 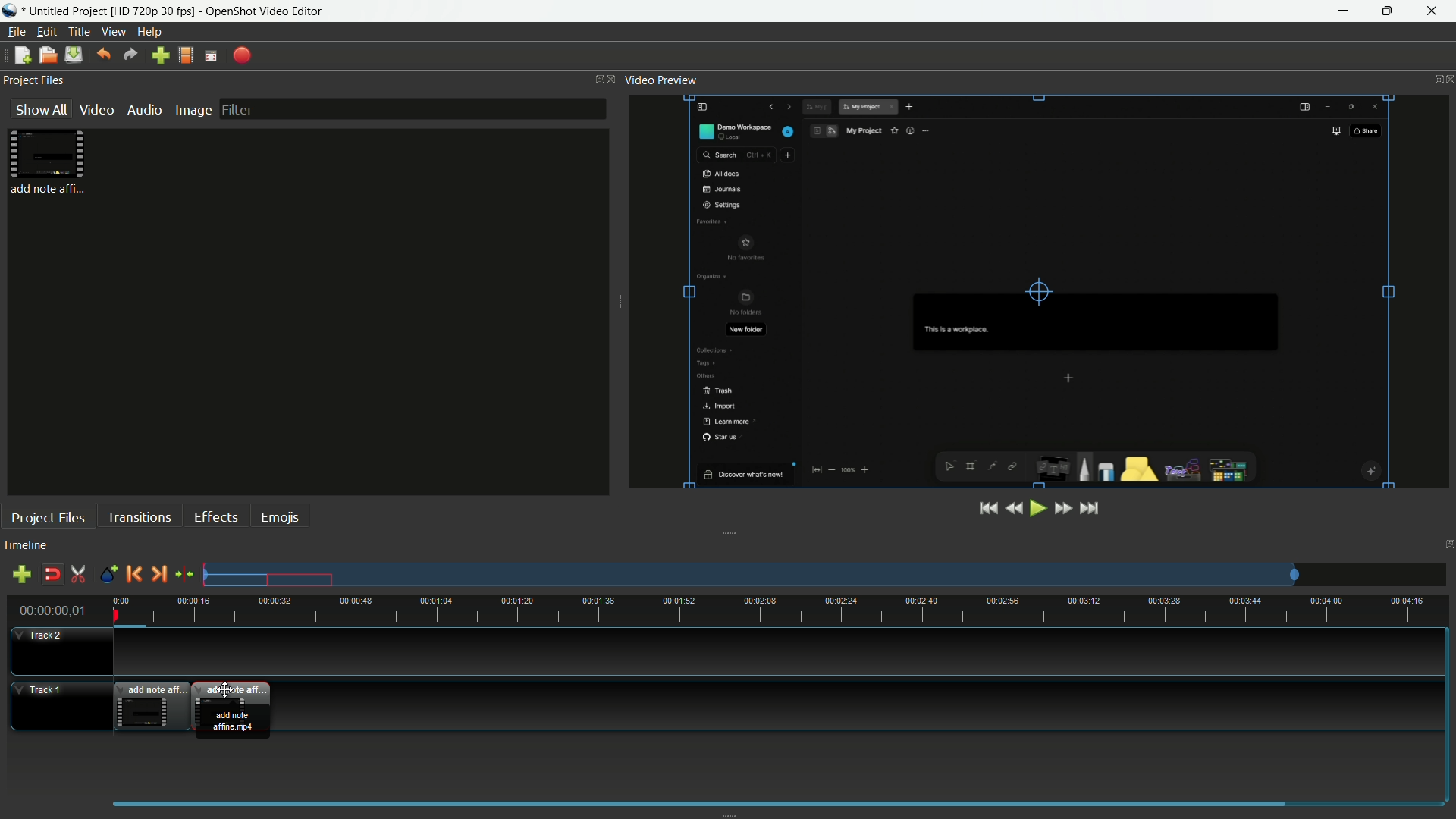 What do you see at coordinates (50, 574) in the screenshot?
I see `disable snap` at bounding box center [50, 574].